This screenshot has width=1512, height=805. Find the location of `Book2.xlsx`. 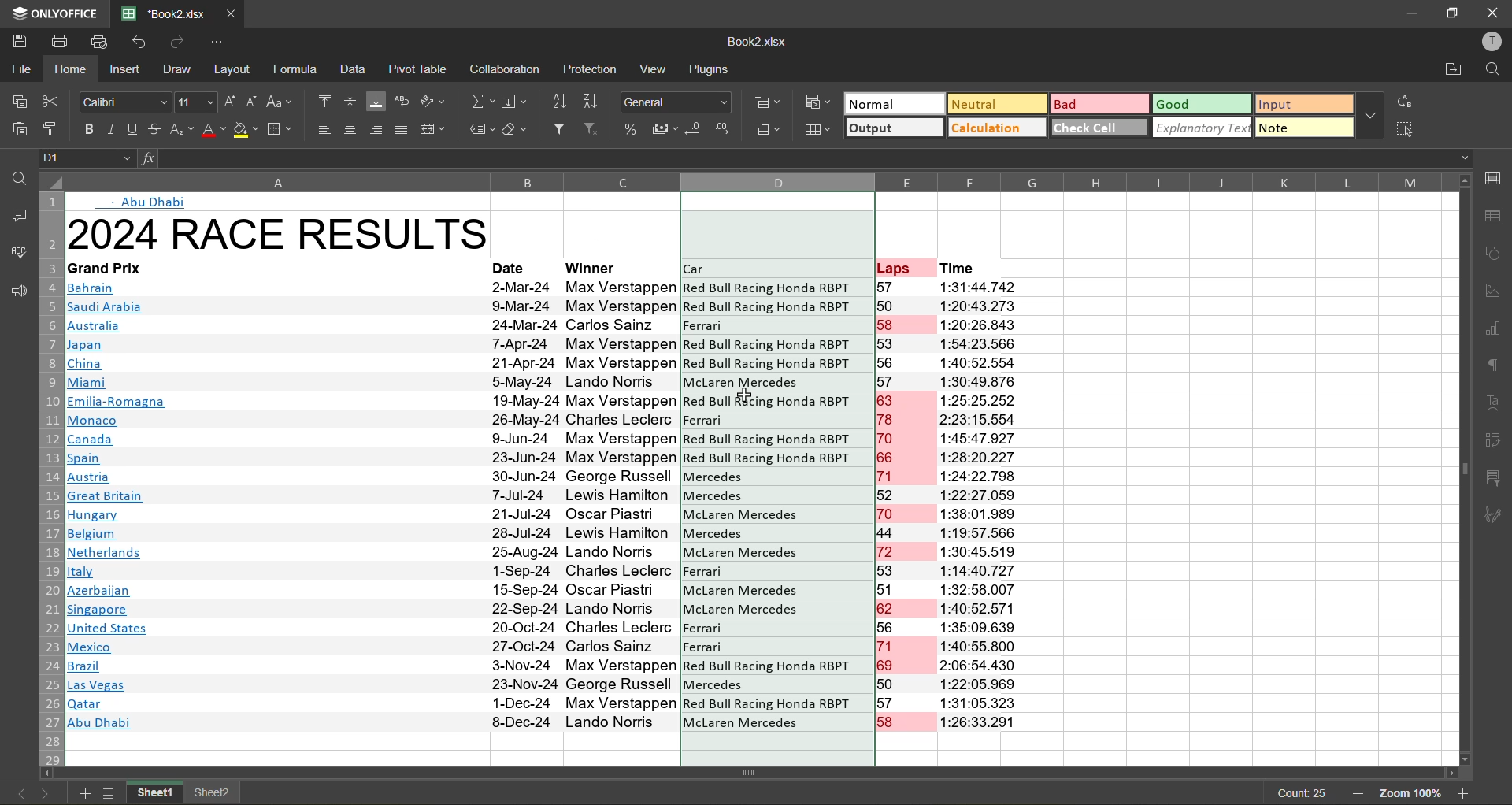

Book2.xlsx is located at coordinates (756, 41).